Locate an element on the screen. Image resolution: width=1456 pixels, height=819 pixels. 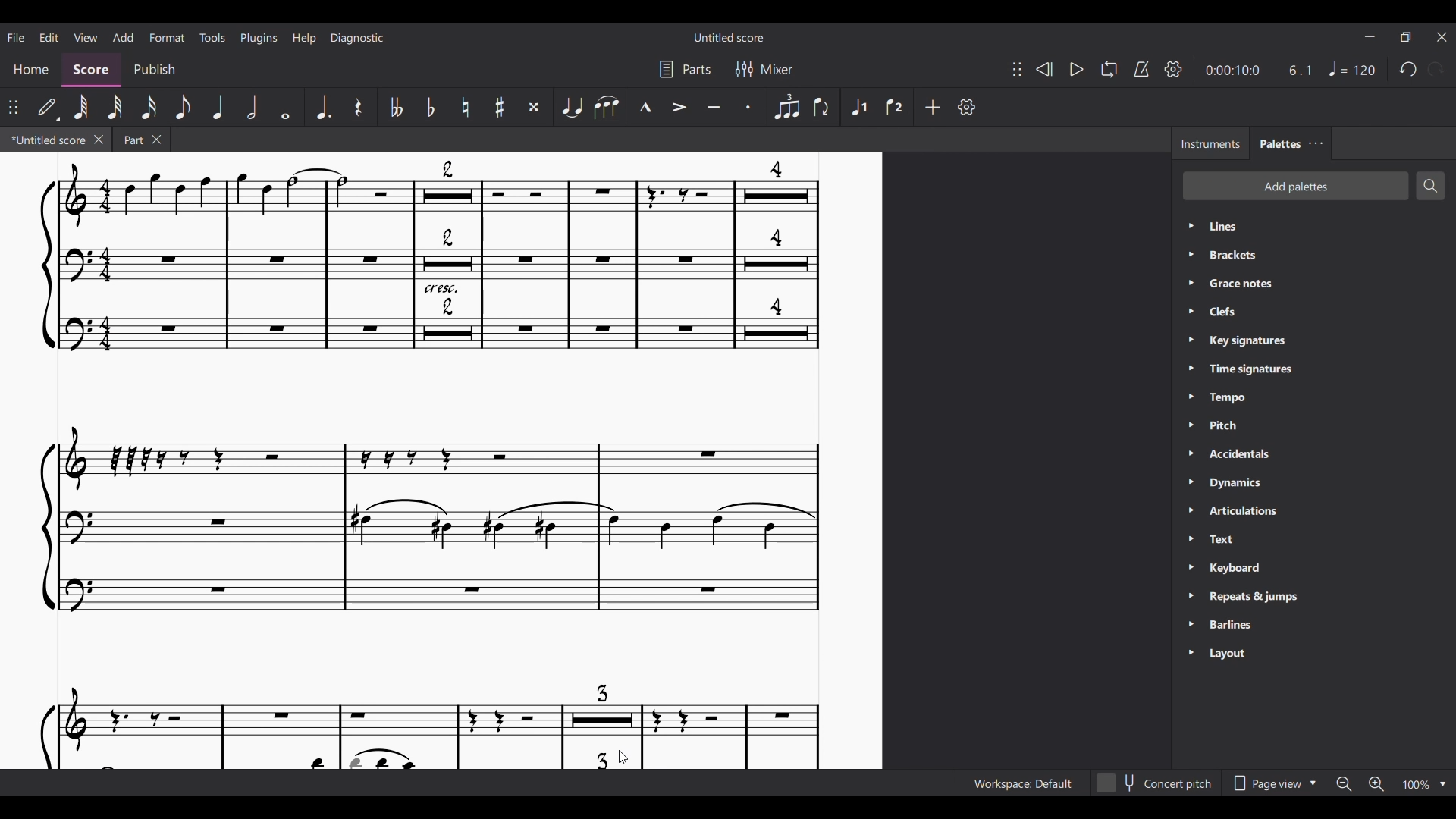
Voice 1 is located at coordinates (858, 107).